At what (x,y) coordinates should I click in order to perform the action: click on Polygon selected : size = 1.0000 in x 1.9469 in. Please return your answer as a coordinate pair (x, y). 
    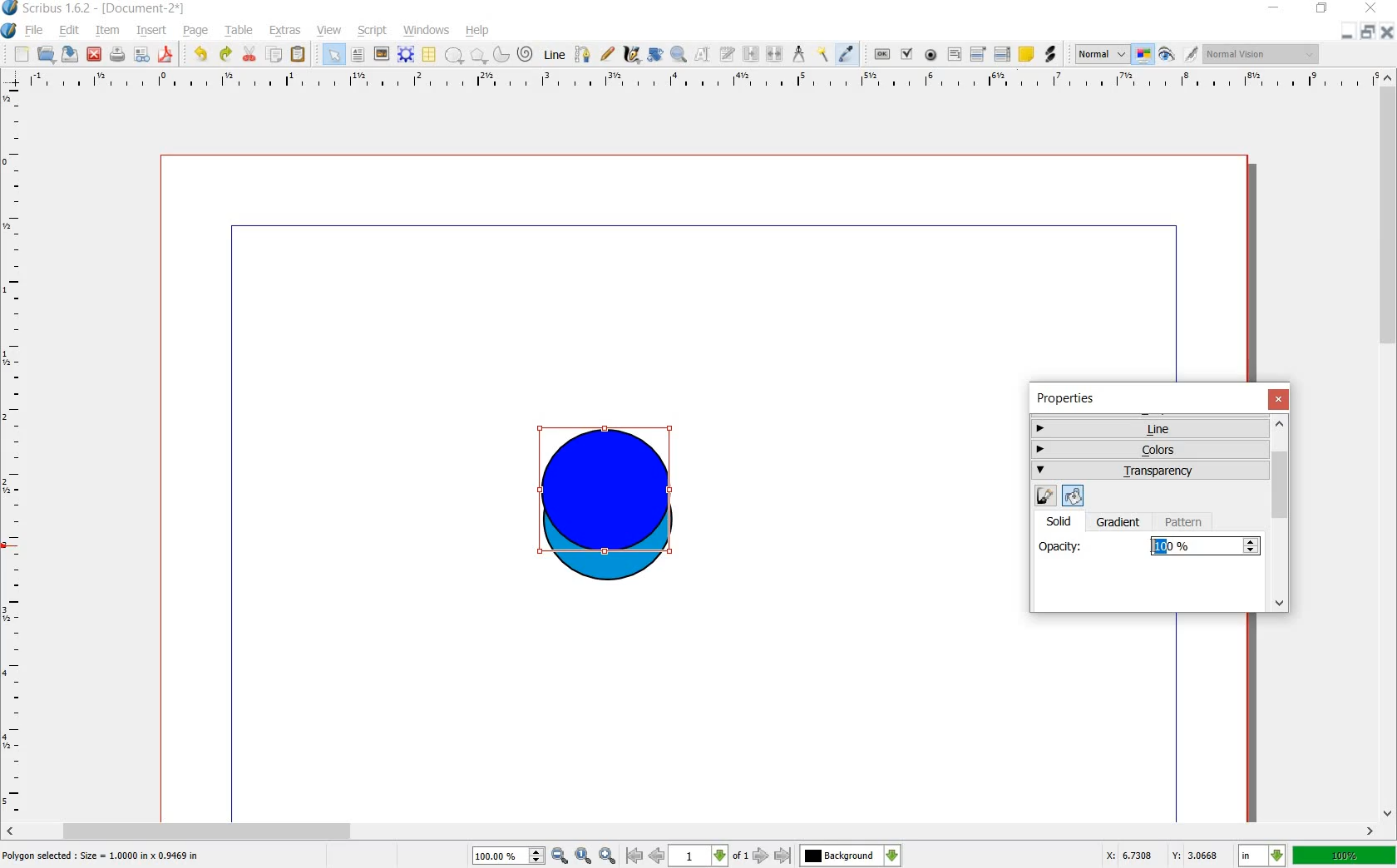
    Looking at the image, I should click on (102, 855).